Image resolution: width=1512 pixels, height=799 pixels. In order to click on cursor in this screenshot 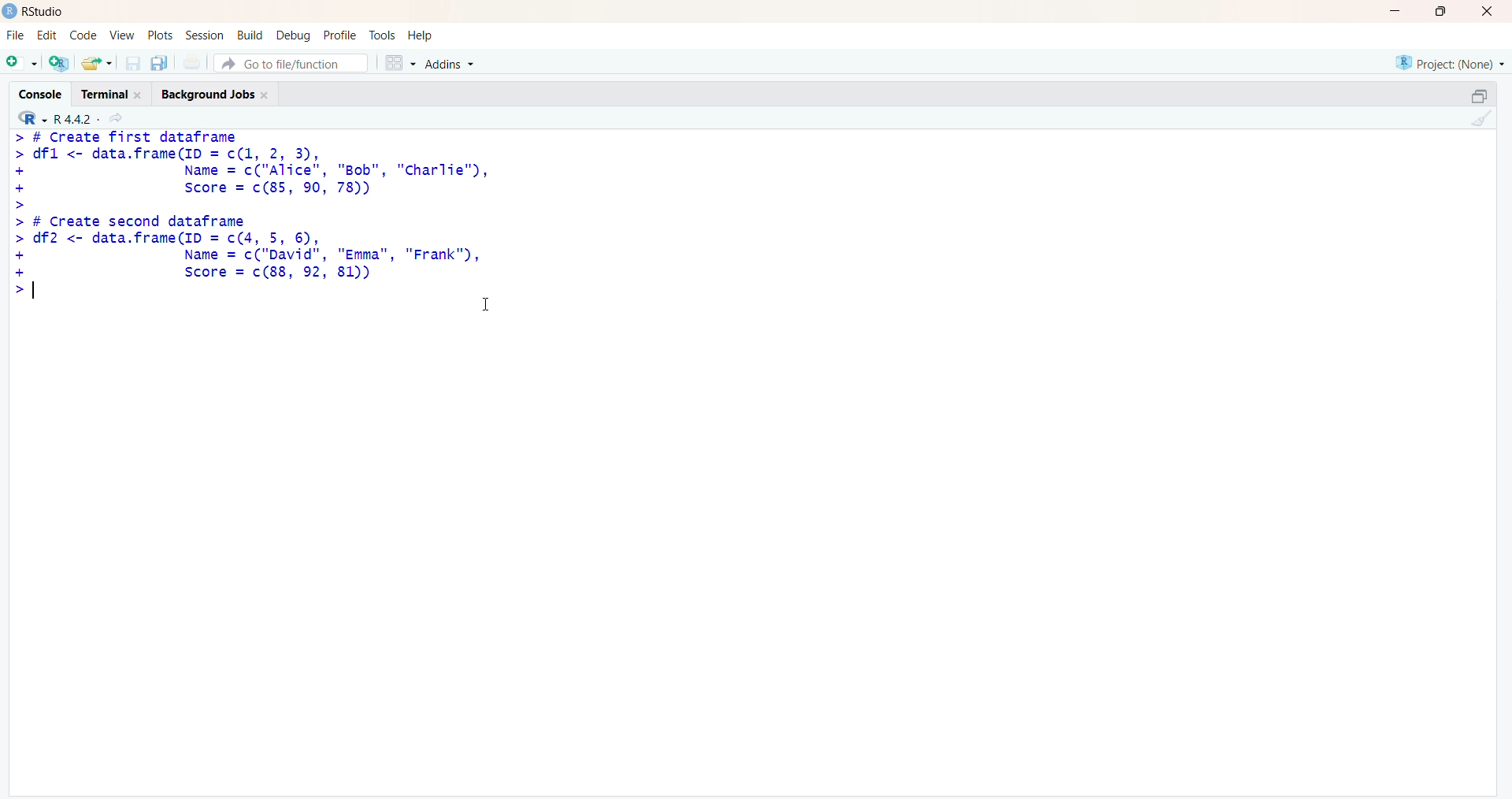, I will do `click(486, 304)`.